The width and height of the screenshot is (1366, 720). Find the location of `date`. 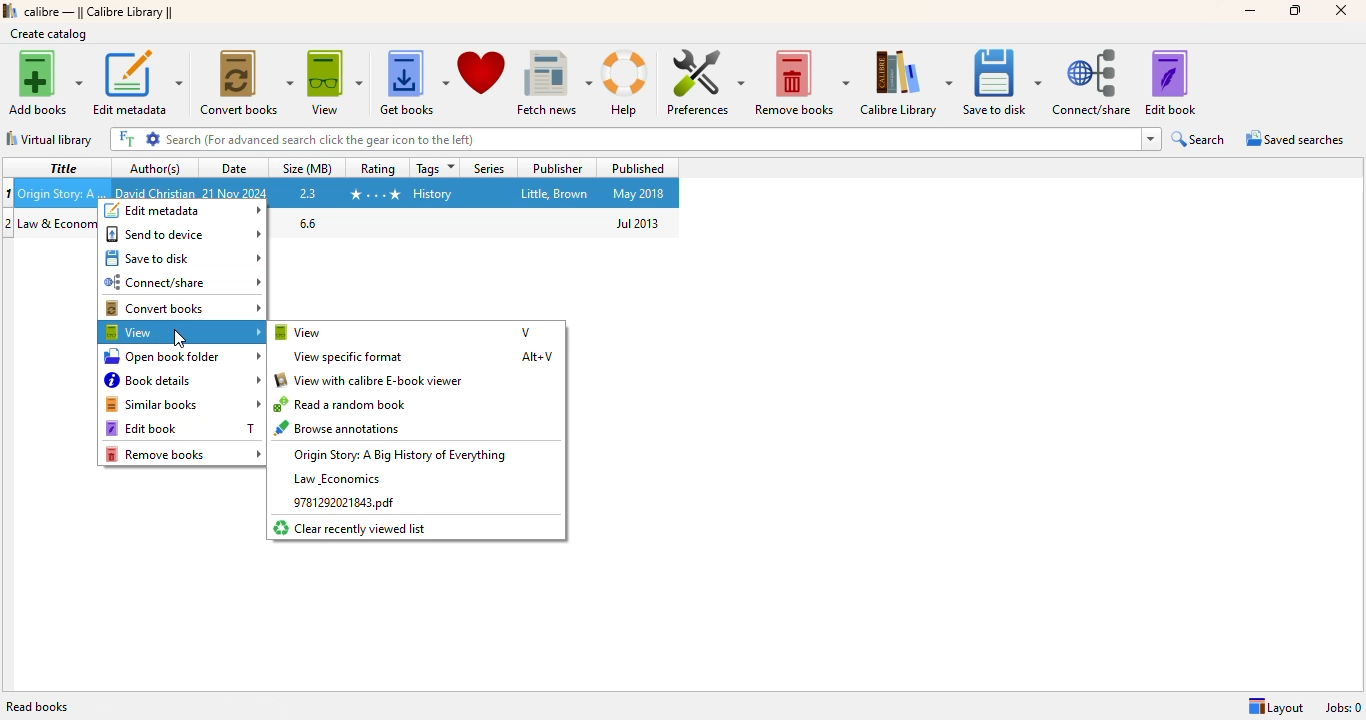

date is located at coordinates (236, 168).